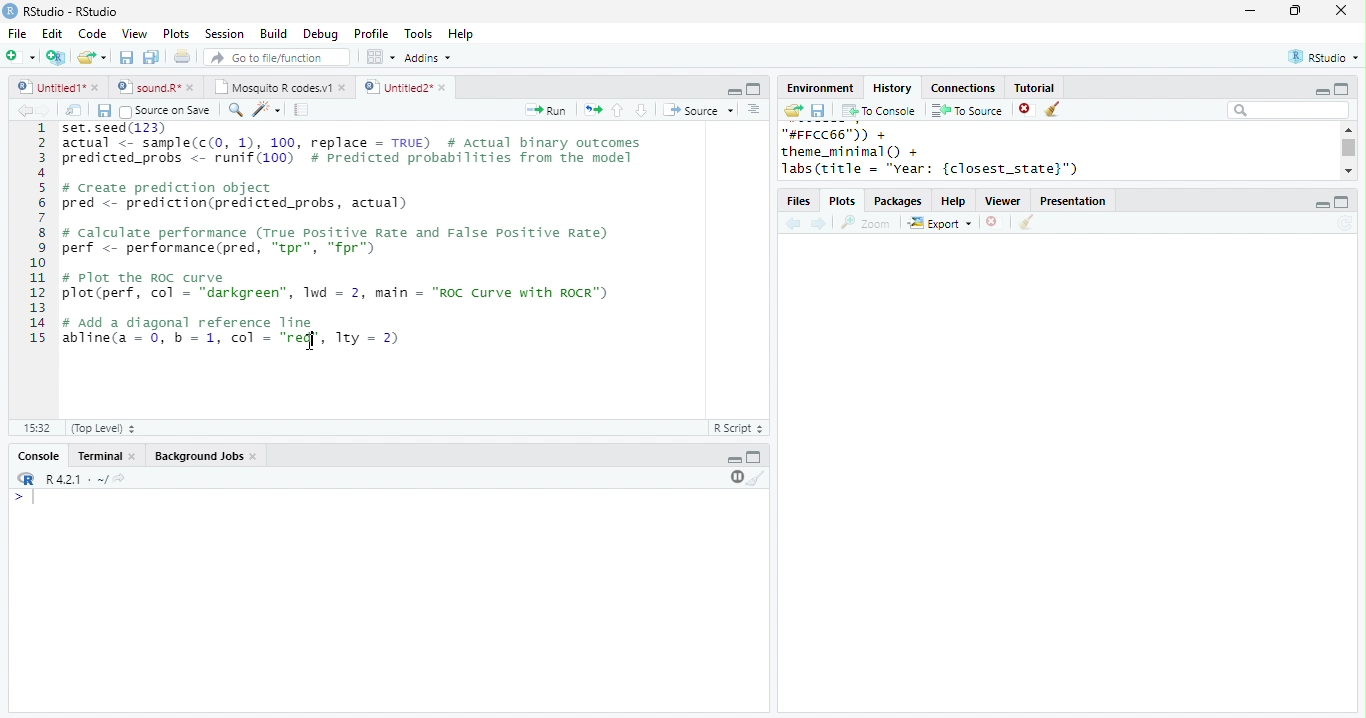  I want to click on Session, so click(224, 34).